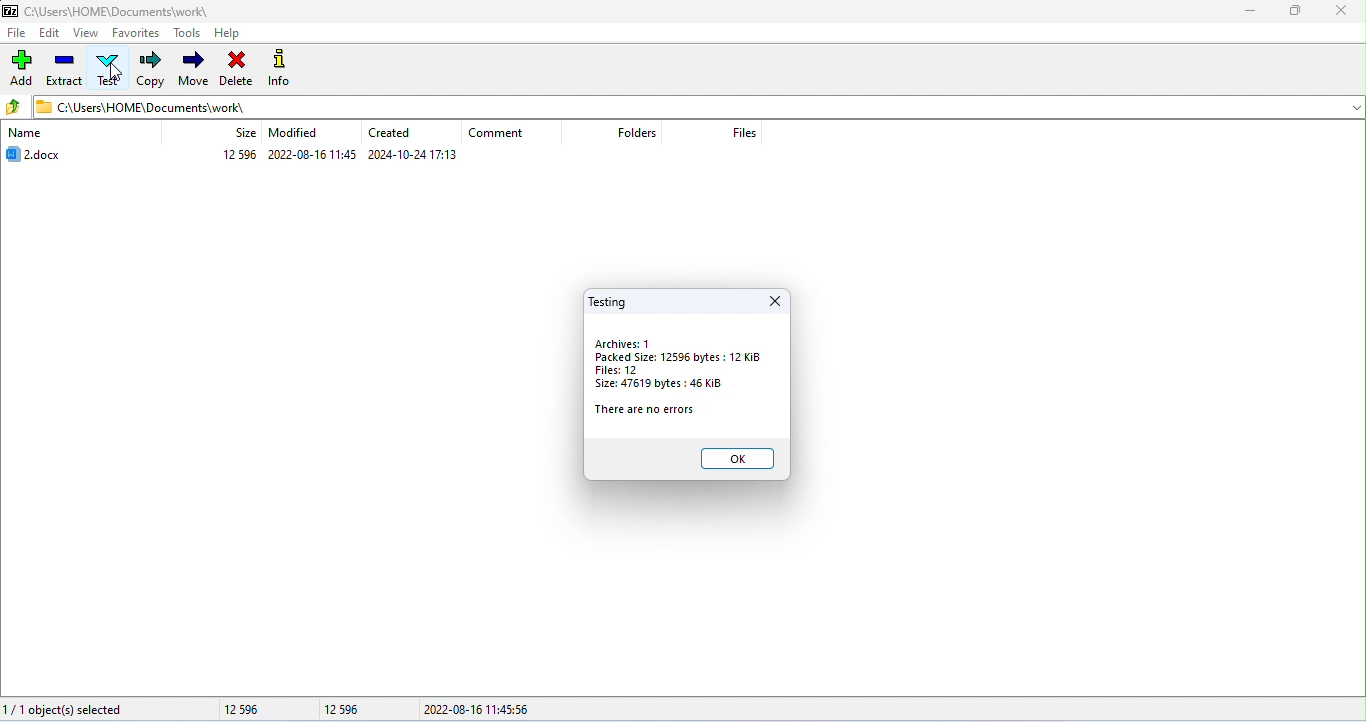 The width and height of the screenshot is (1366, 722). Describe the element at coordinates (228, 32) in the screenshot. I see `help` at that location.